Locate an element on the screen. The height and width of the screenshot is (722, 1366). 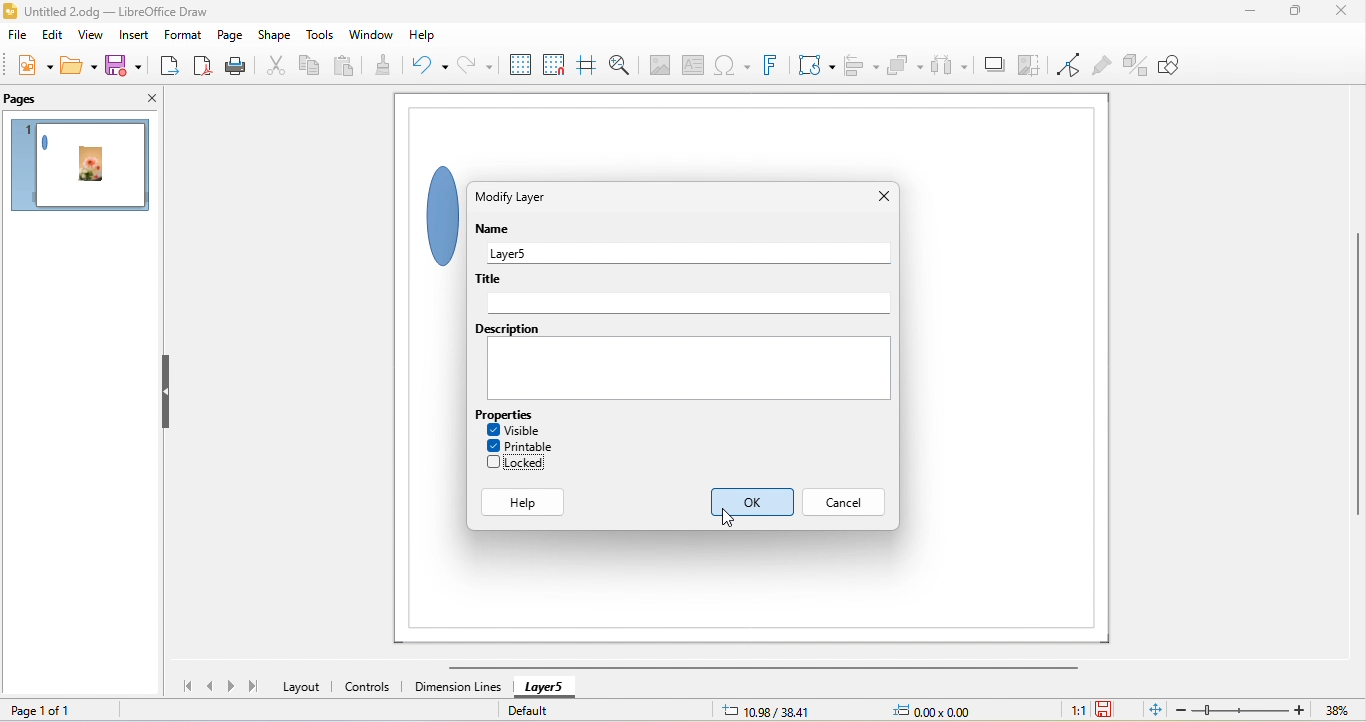
display grid is located at coordinates (517, 64).